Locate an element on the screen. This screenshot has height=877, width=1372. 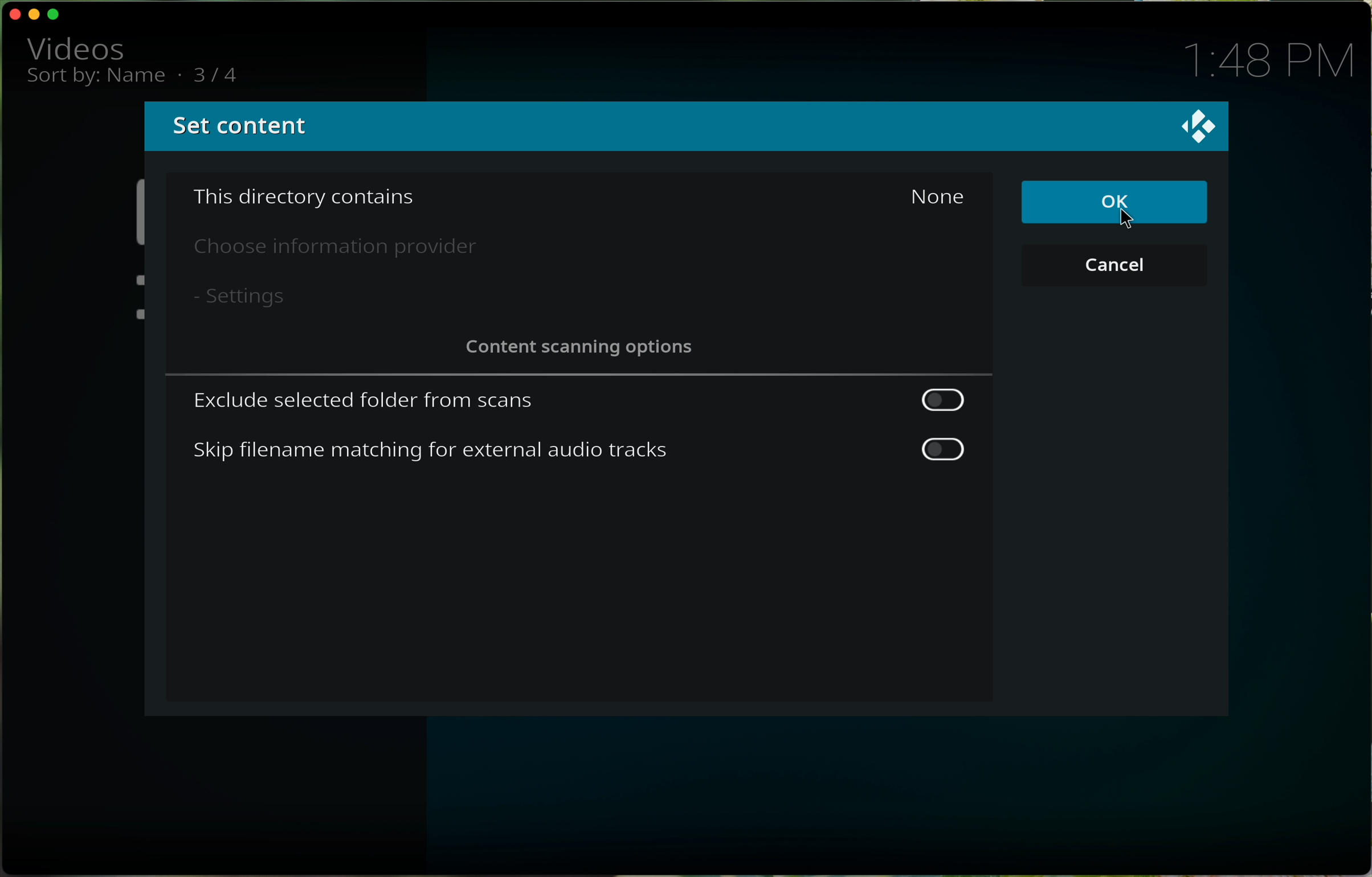
sort by name is located at coordinates (97, 80).